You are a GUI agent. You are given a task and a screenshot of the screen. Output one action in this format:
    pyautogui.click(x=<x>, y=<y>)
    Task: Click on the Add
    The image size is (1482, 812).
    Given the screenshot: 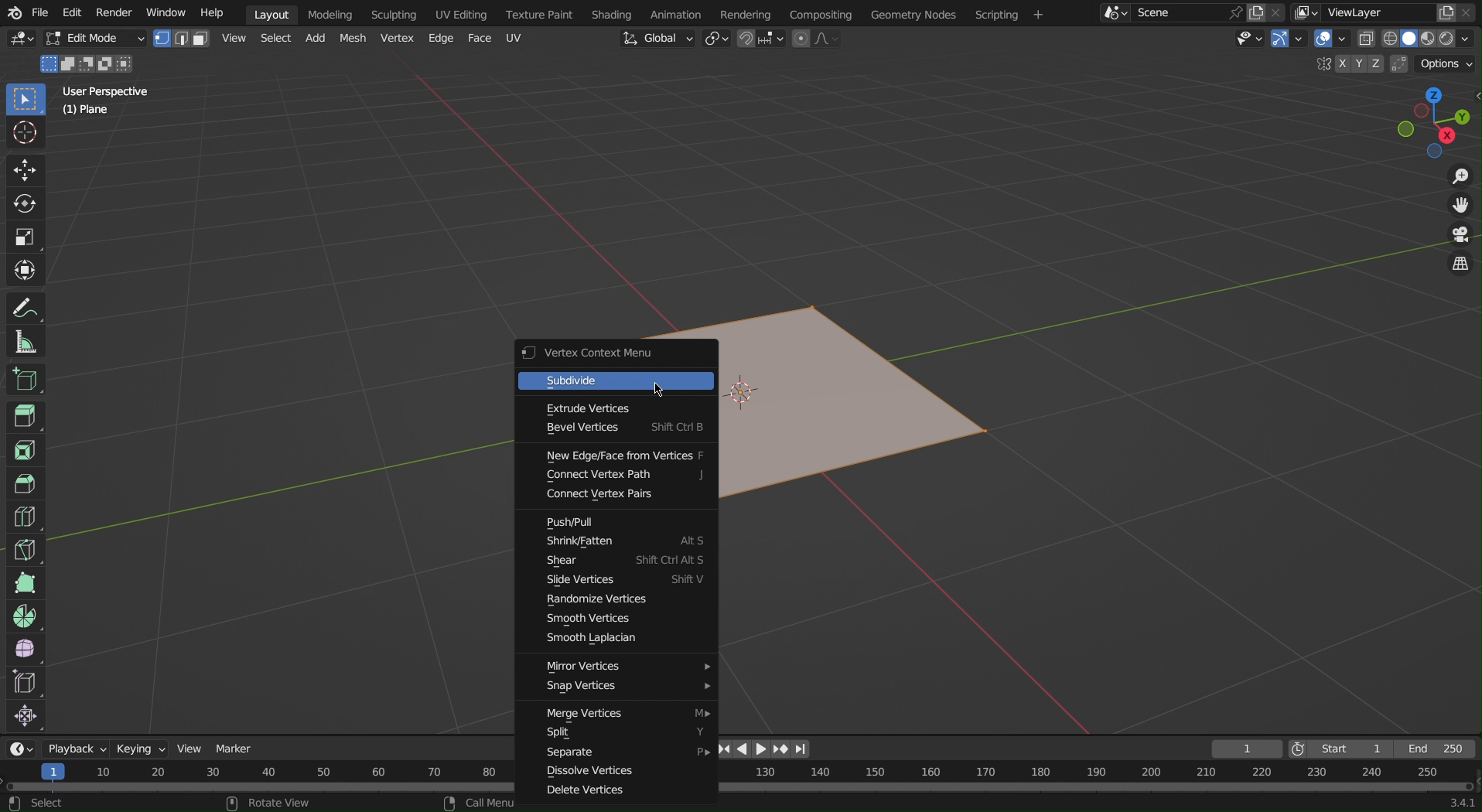 What is the action you would take?
    pyautogui.click(x=313, y=40)
    